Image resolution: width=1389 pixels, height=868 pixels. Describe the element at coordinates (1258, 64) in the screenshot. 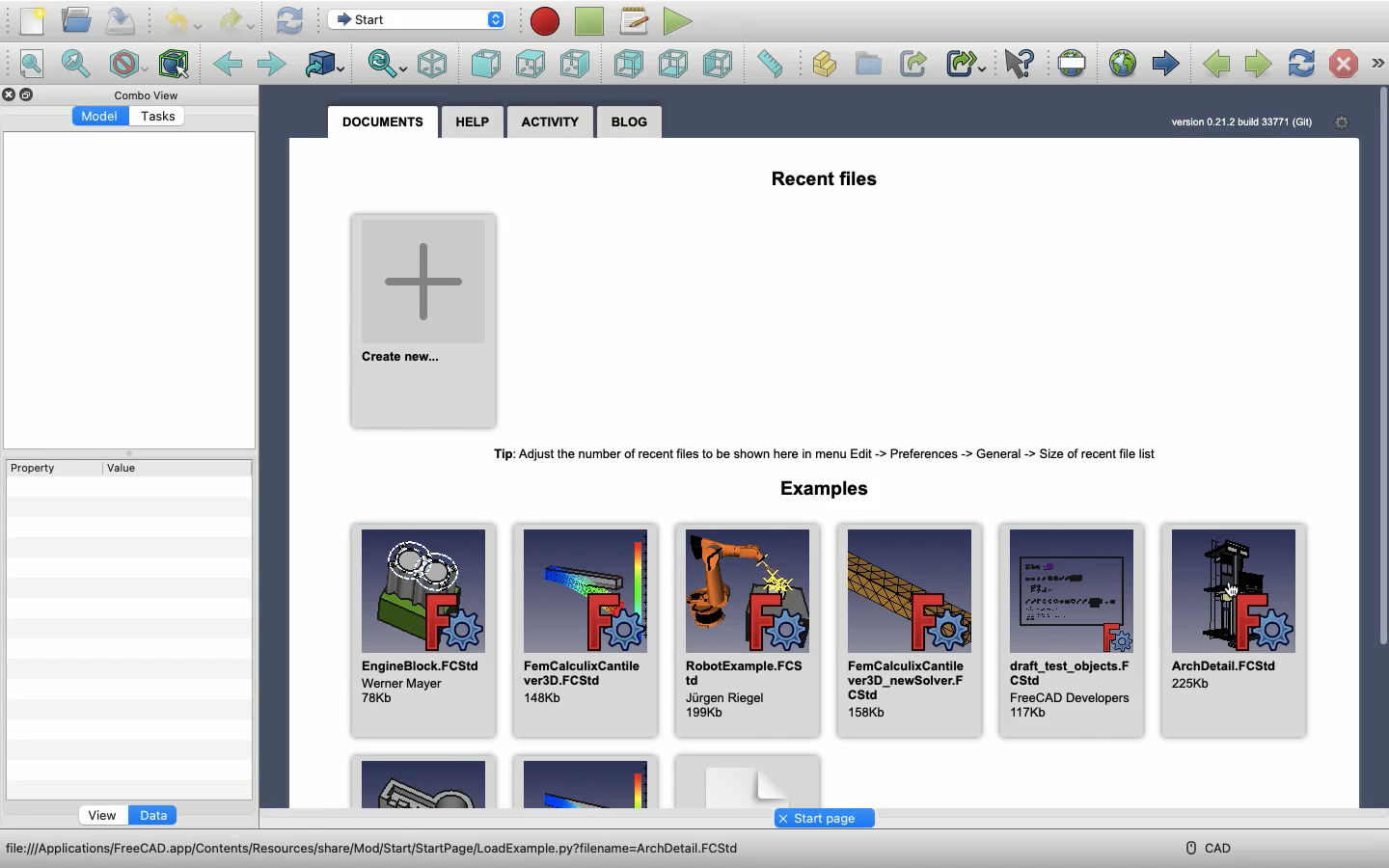

I see `Next page` at that location.